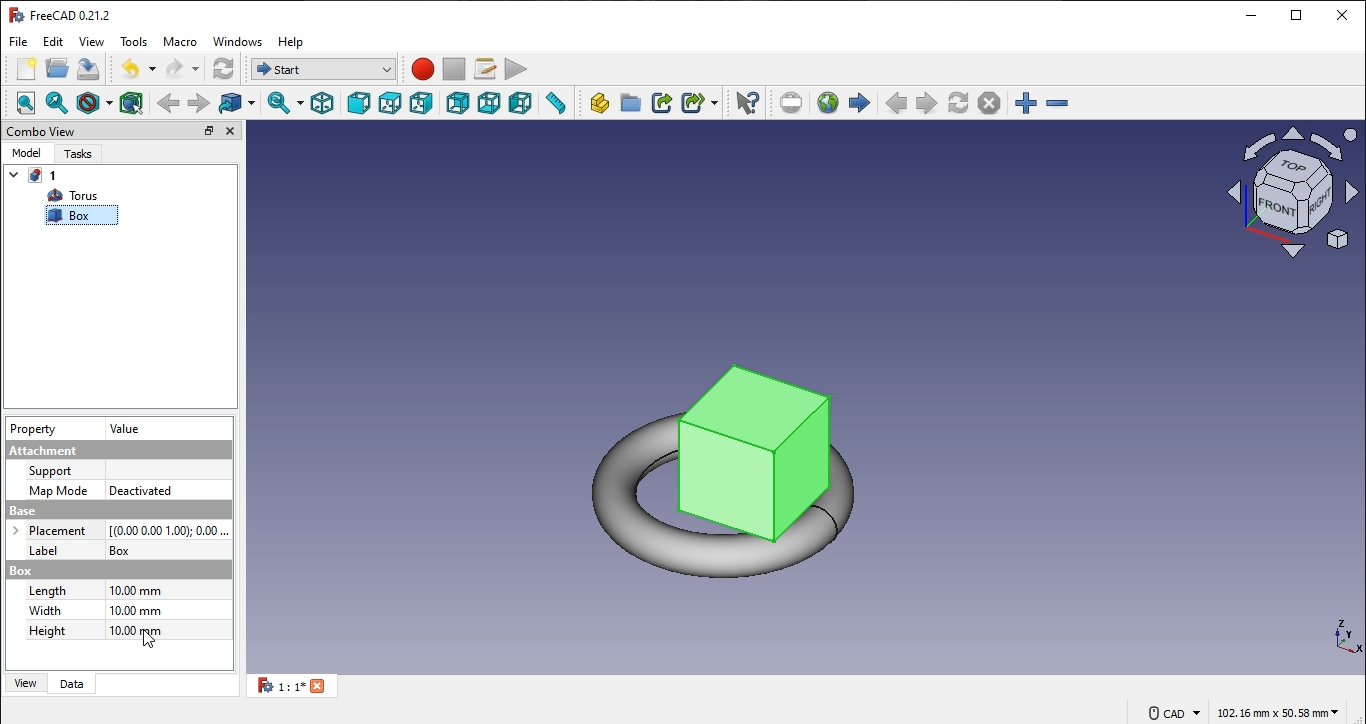 This screenshot has width=1366, height=724. I want to click on 102.16 mm x 50.58 mm ~, so click(1276, 712).